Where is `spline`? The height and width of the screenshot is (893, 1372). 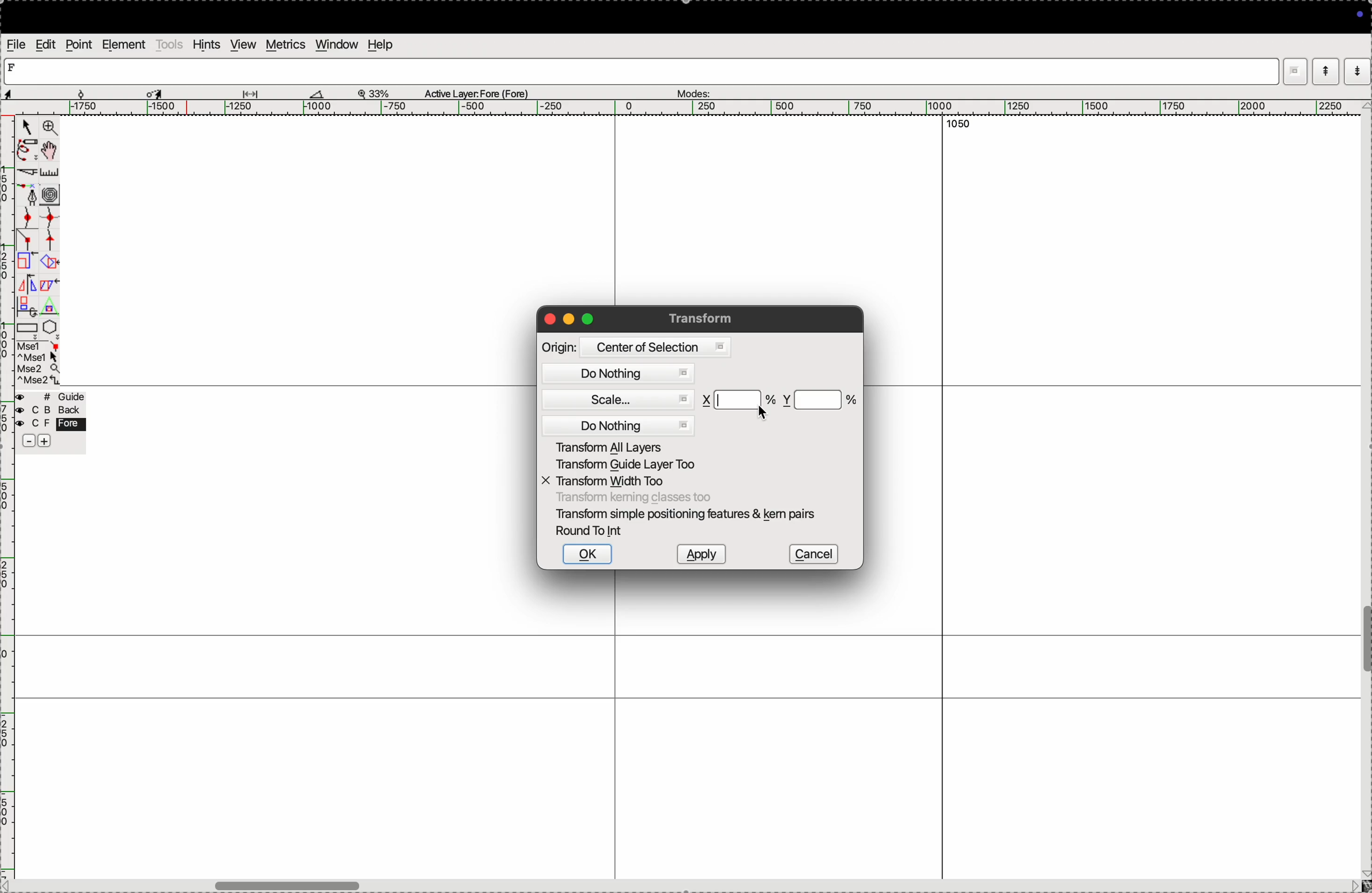
spline is located at coordinates (49, 230).